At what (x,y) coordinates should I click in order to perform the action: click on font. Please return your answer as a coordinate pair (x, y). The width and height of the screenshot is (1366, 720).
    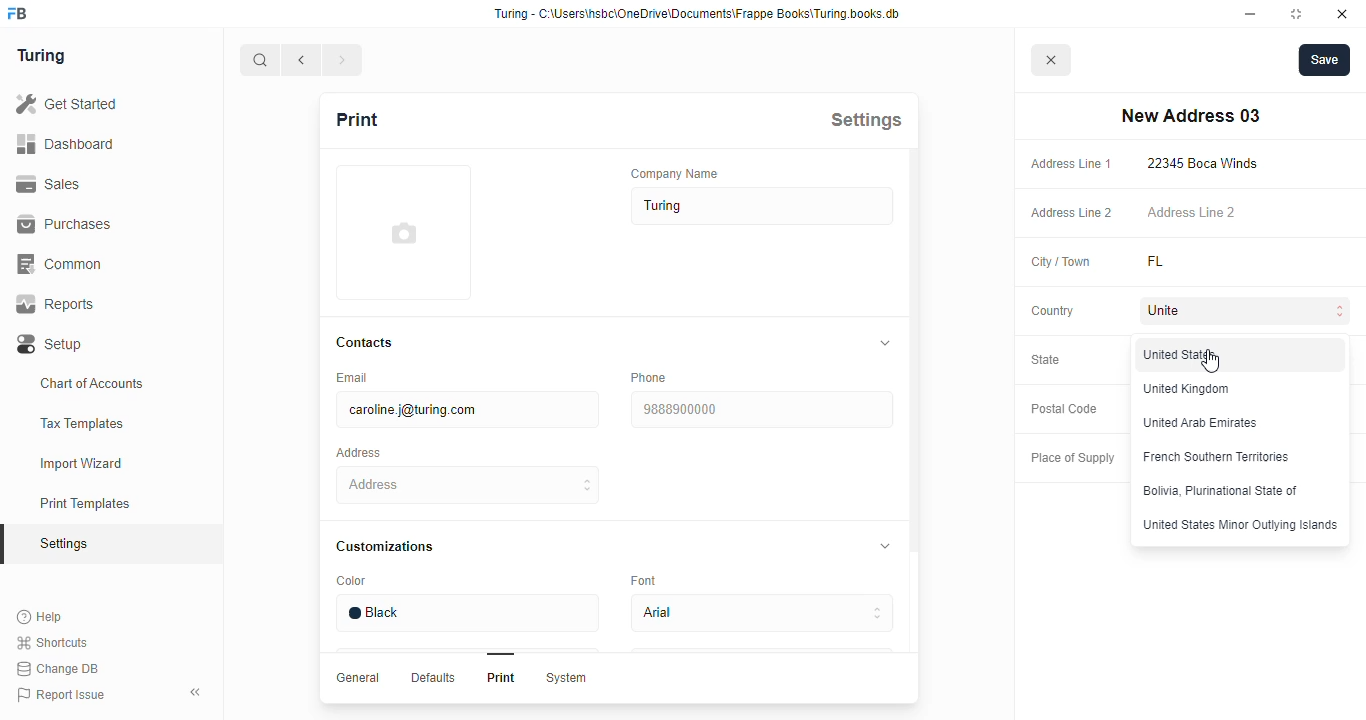
    Looking at the image, I should click on (647, 579).